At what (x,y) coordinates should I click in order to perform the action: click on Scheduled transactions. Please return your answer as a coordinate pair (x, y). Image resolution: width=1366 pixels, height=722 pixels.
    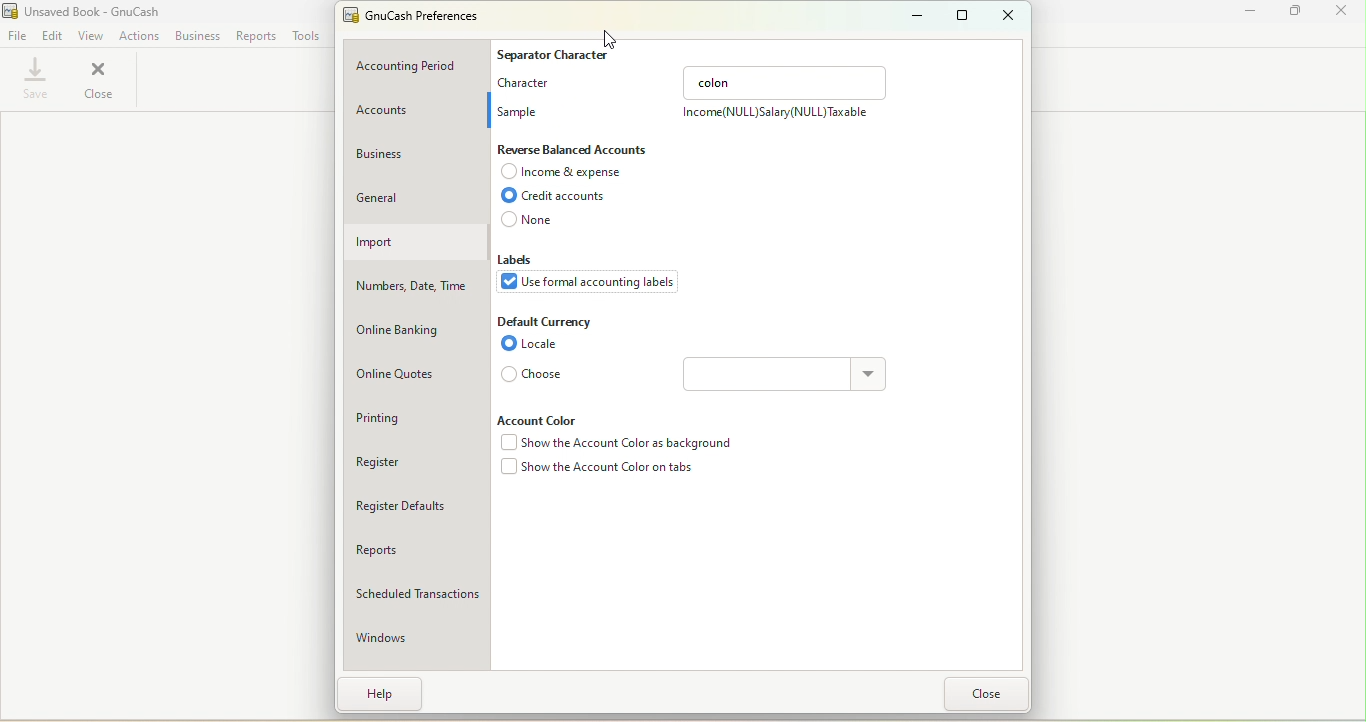
    Looking at the image, I should click on (415, 591).